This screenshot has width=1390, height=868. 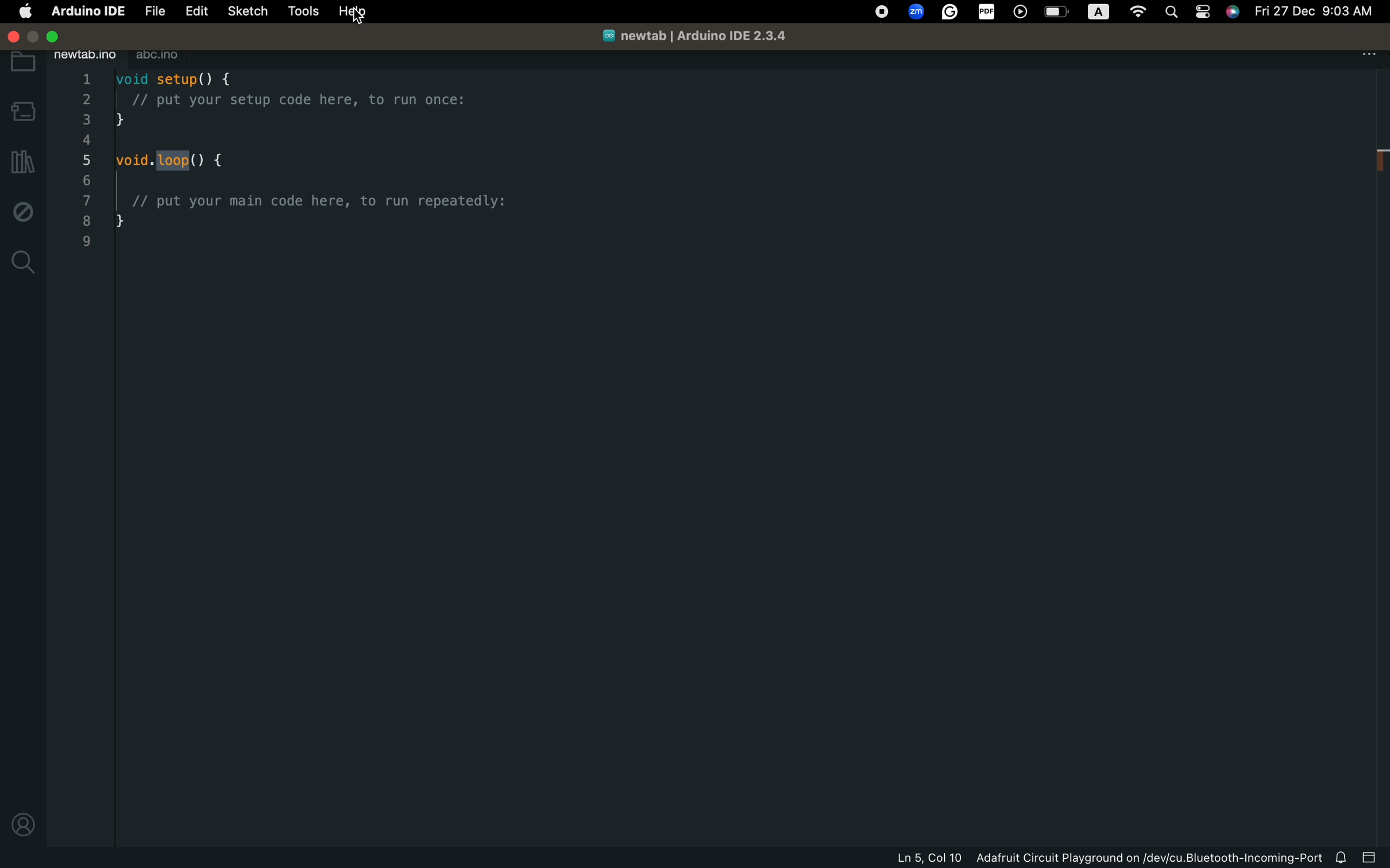 What do you see at coordinates (23, 210) in the screenshot?
I see `debug` at bounding box center [23, 210].